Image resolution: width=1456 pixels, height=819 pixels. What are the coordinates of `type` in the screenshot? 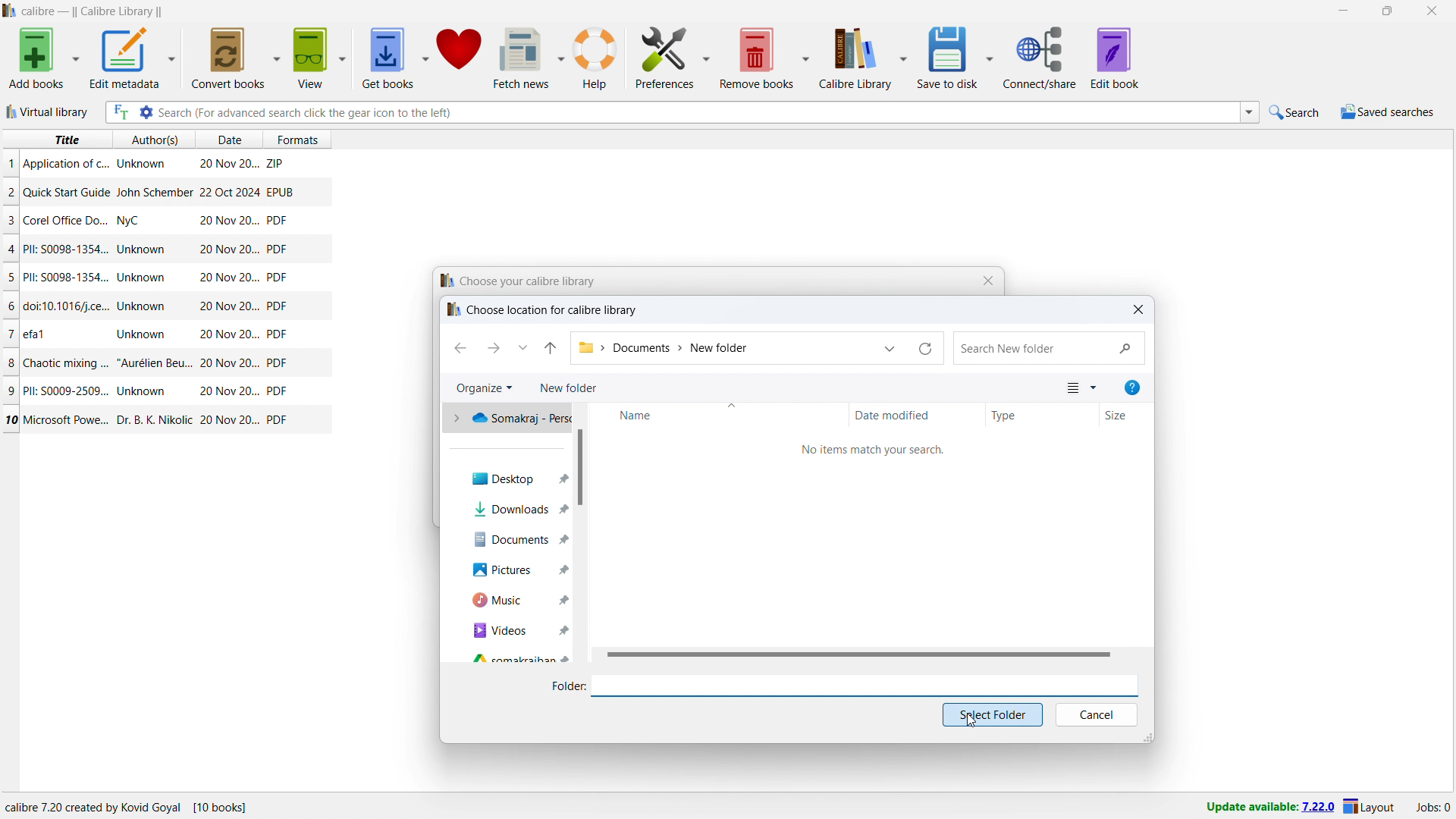 It's located at (1043, 413).